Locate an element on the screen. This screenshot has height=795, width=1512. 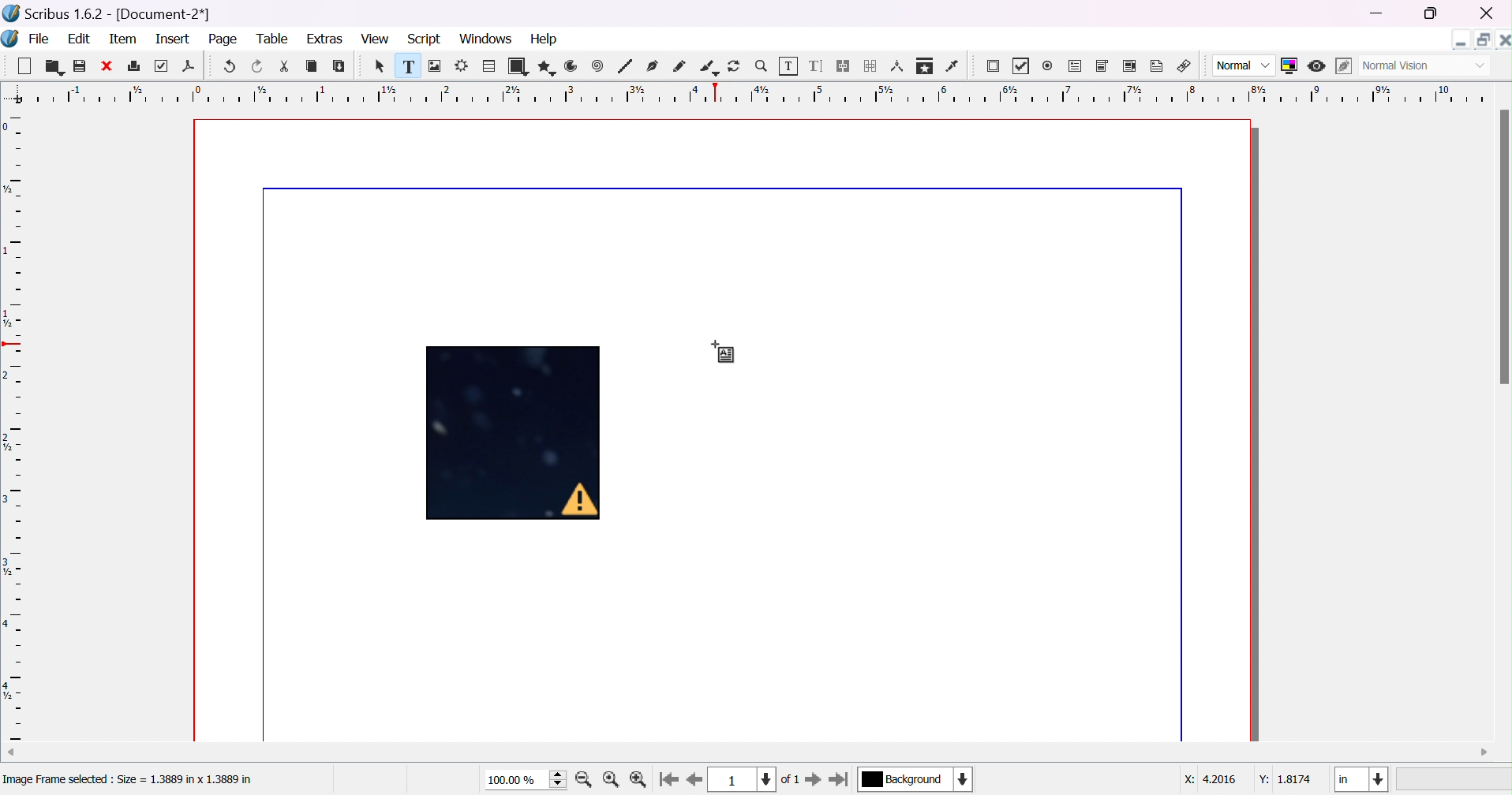
render frame is located at coordinates (462, 65).